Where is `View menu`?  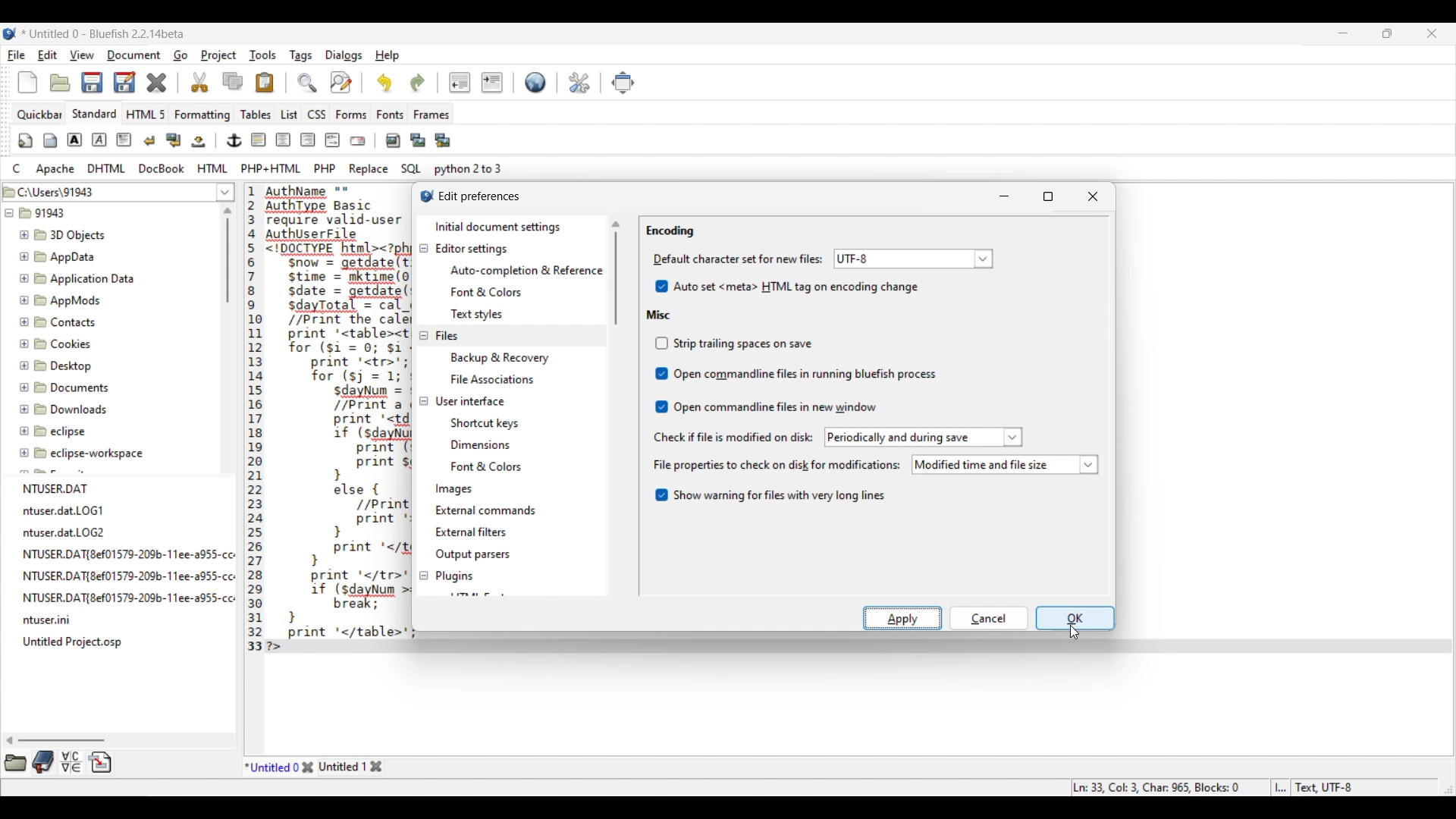
View menu is located at coordinates (82, 55).